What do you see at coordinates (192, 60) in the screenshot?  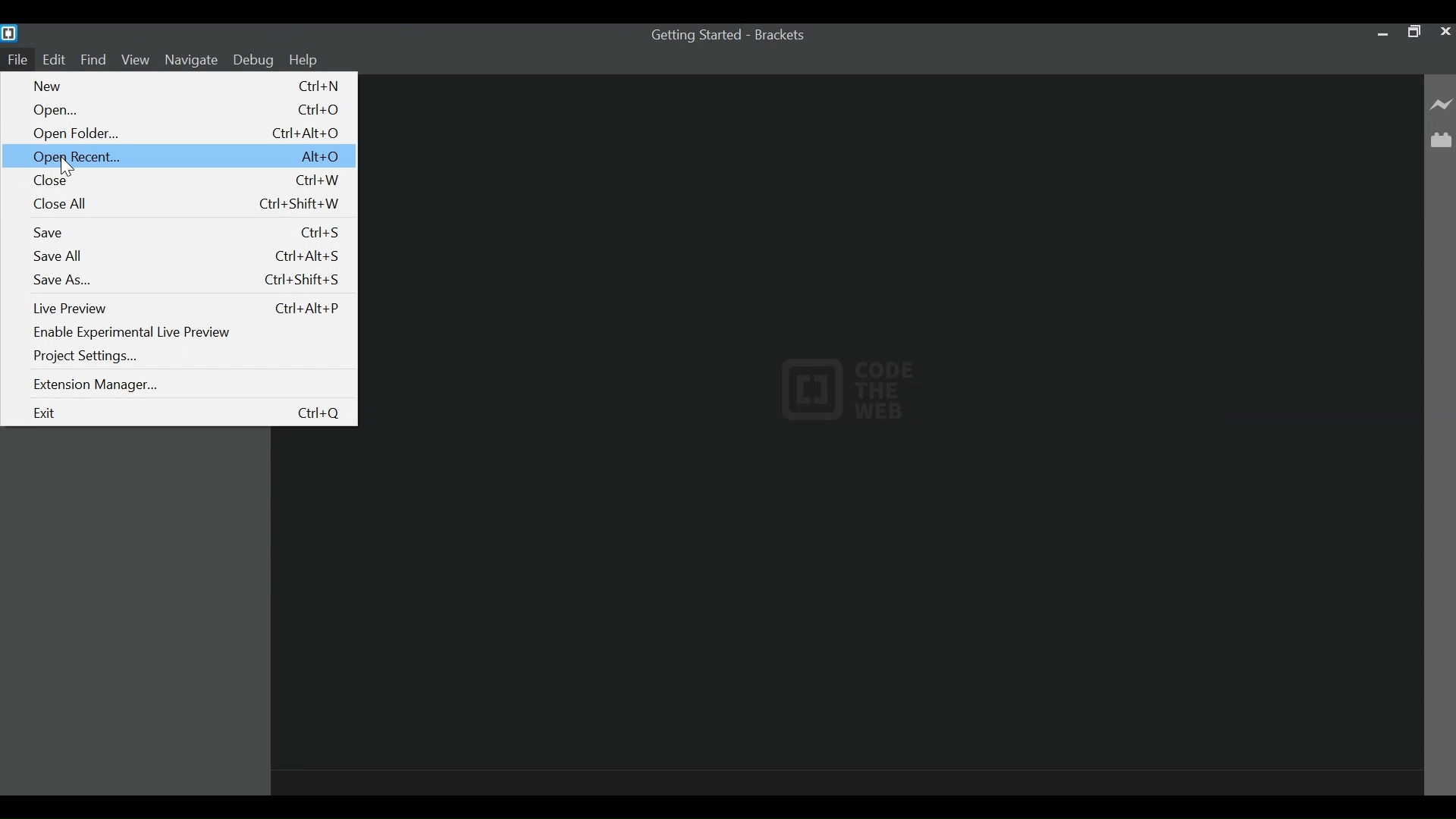 I see `Navigate` at bounding box center [192, 60].